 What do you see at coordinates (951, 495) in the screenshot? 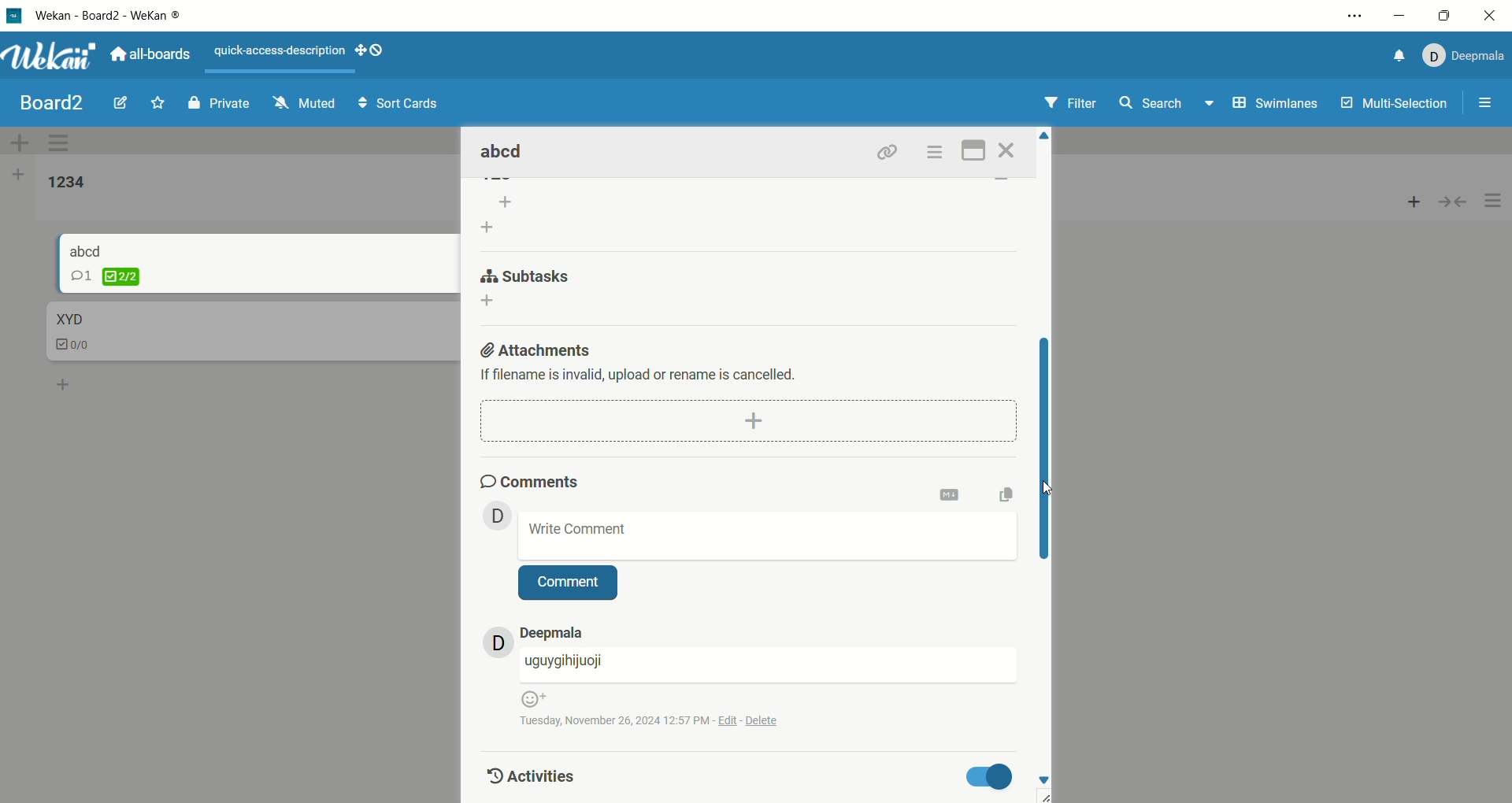
I see `onvert to markdown` at bounding box center [951, 495].